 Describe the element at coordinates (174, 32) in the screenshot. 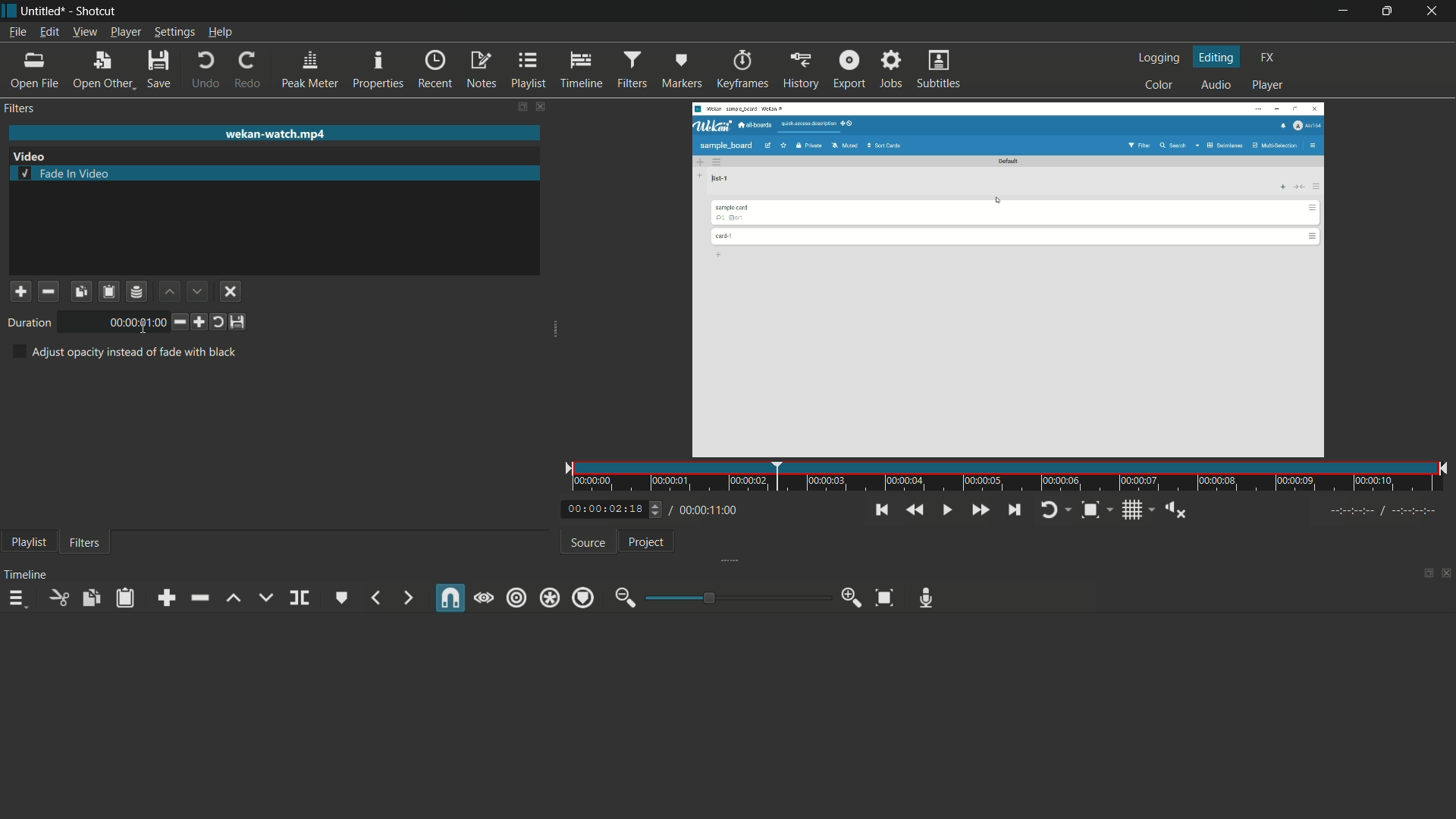

I see `settings menu` at that location.